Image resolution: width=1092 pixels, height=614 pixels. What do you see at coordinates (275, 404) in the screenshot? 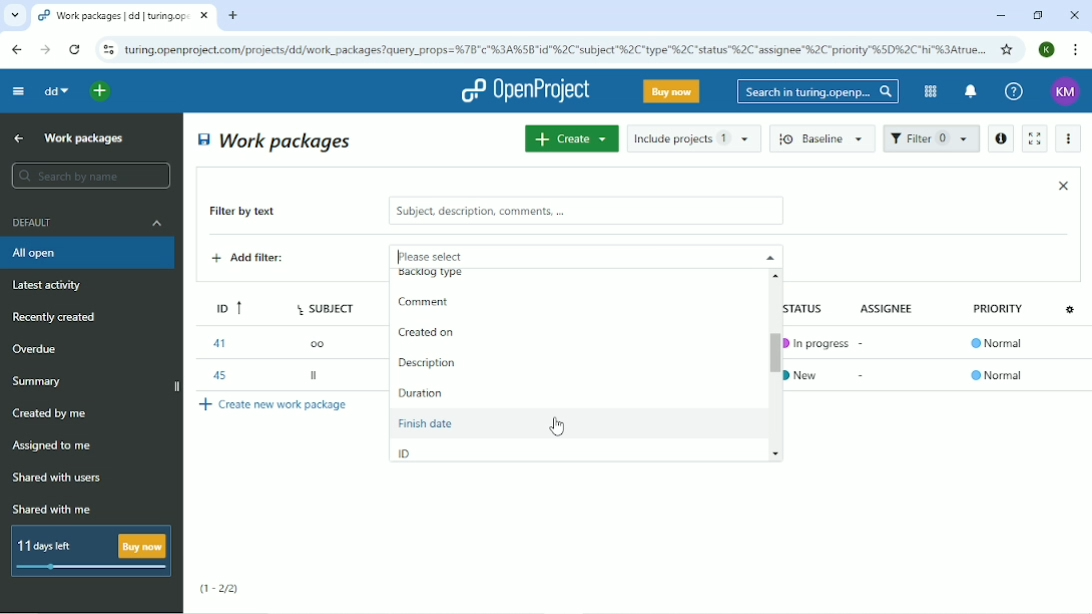
I see `Create new work package` at bounding box center [275, 404].